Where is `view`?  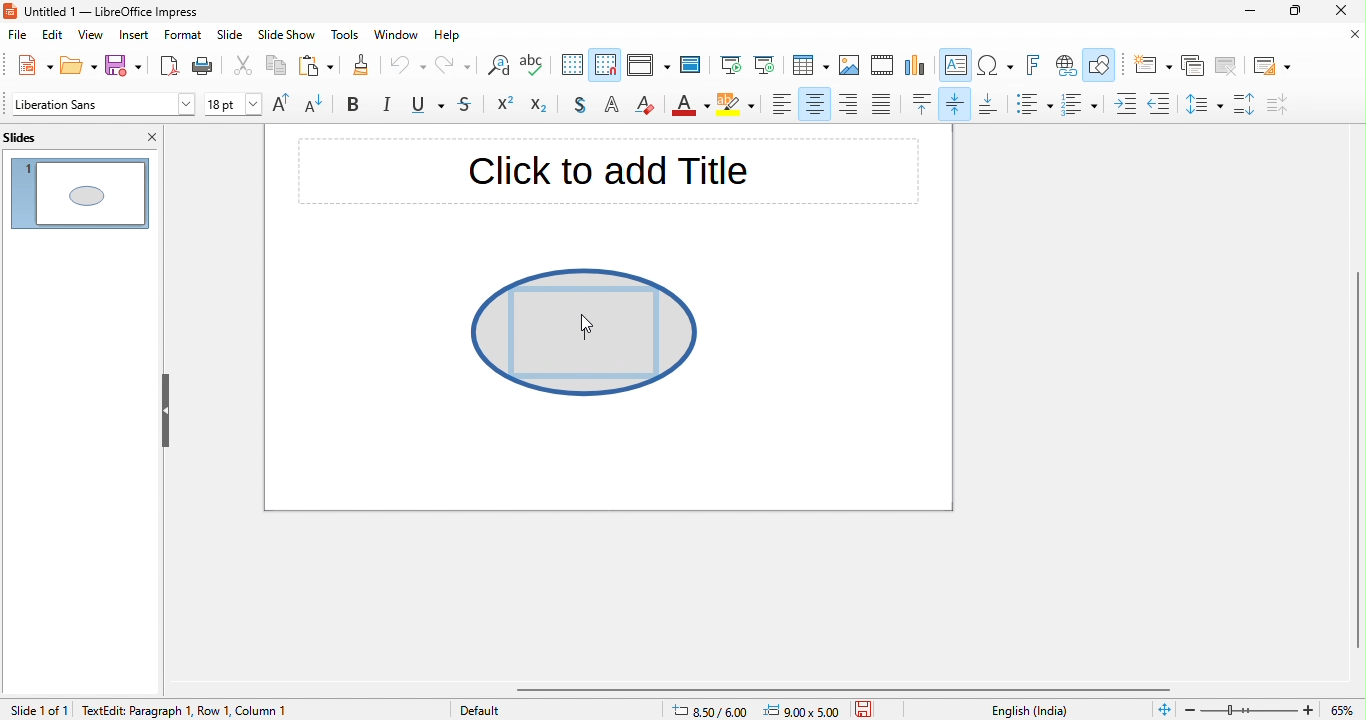 view is located at coordinates (90, 36).